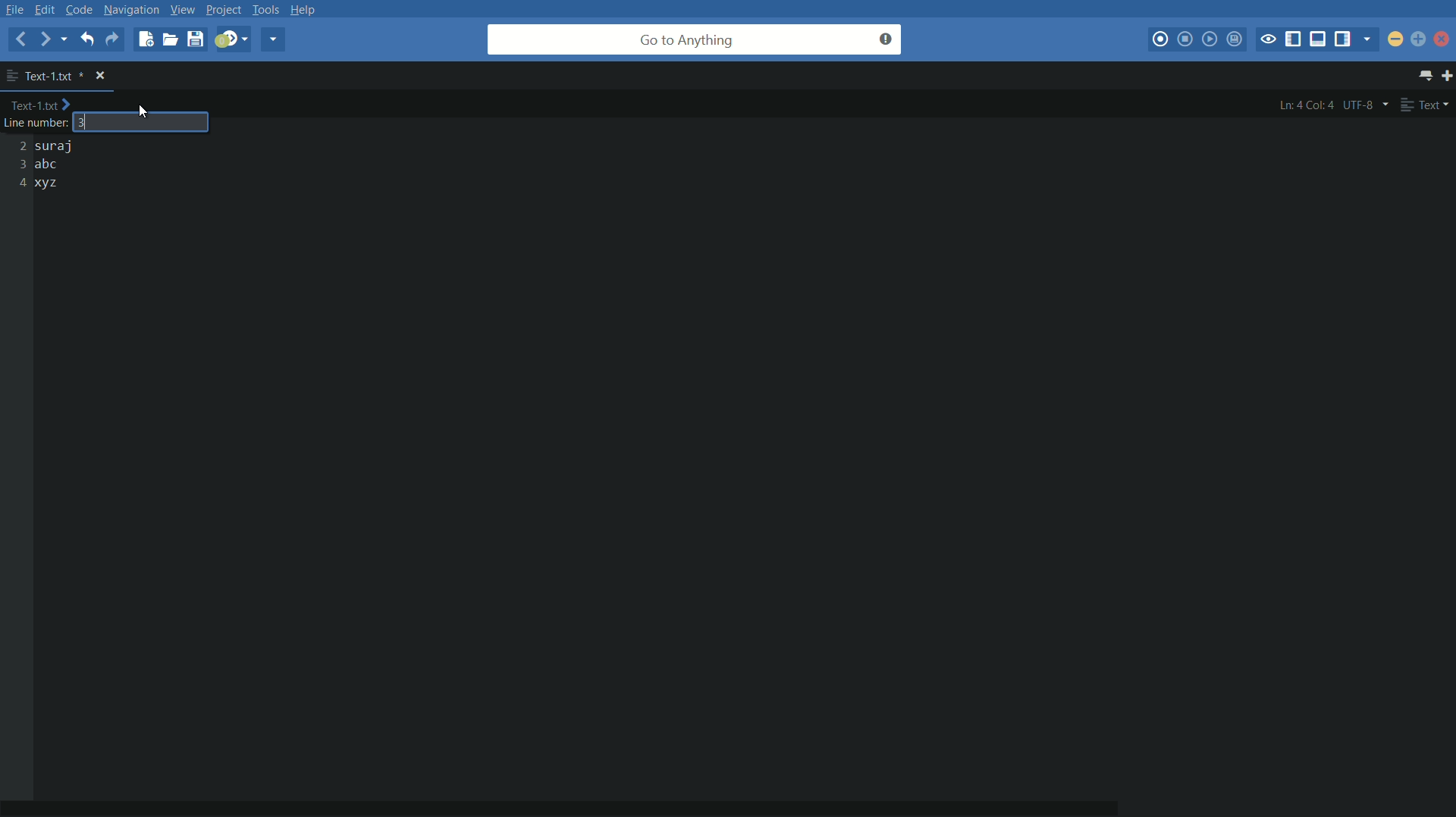  What do you see at coordinates (131, 9) in the screenshot?
I see `navigation` at bounding box center [131, 9].